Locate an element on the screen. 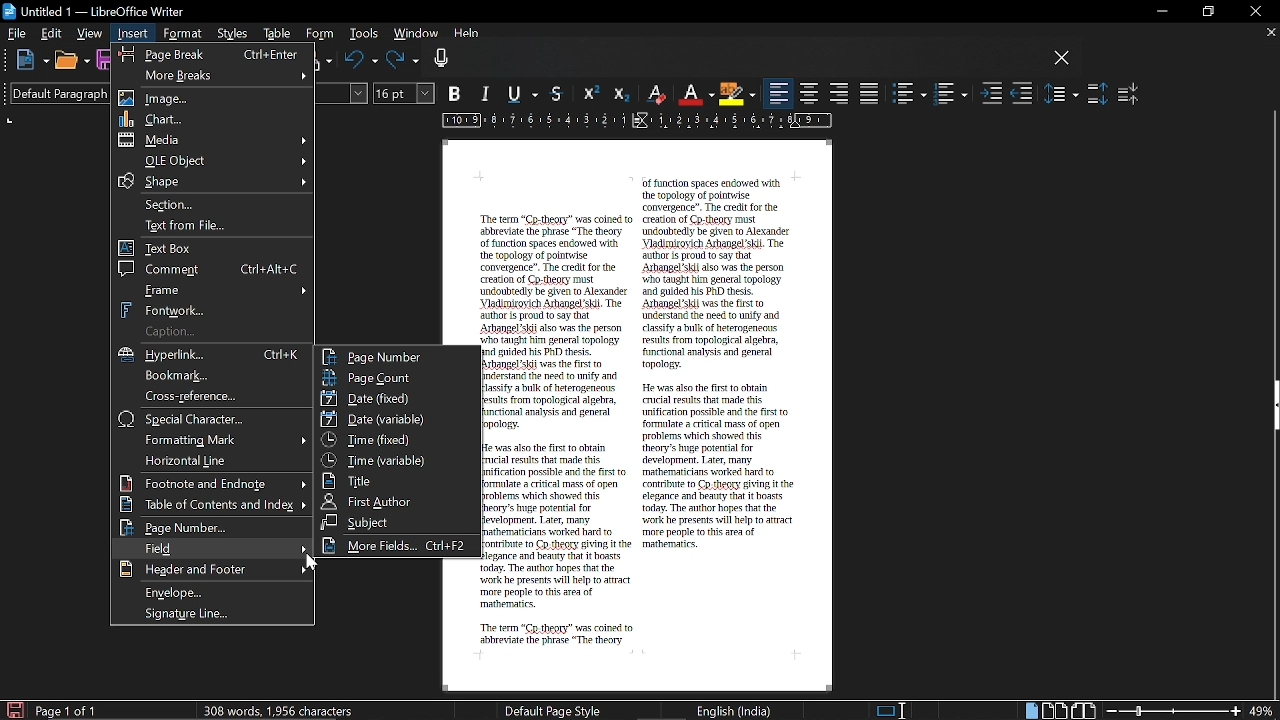 This screenshot has width=1280, height=720. Default page style is located at coordinates (553, 710).